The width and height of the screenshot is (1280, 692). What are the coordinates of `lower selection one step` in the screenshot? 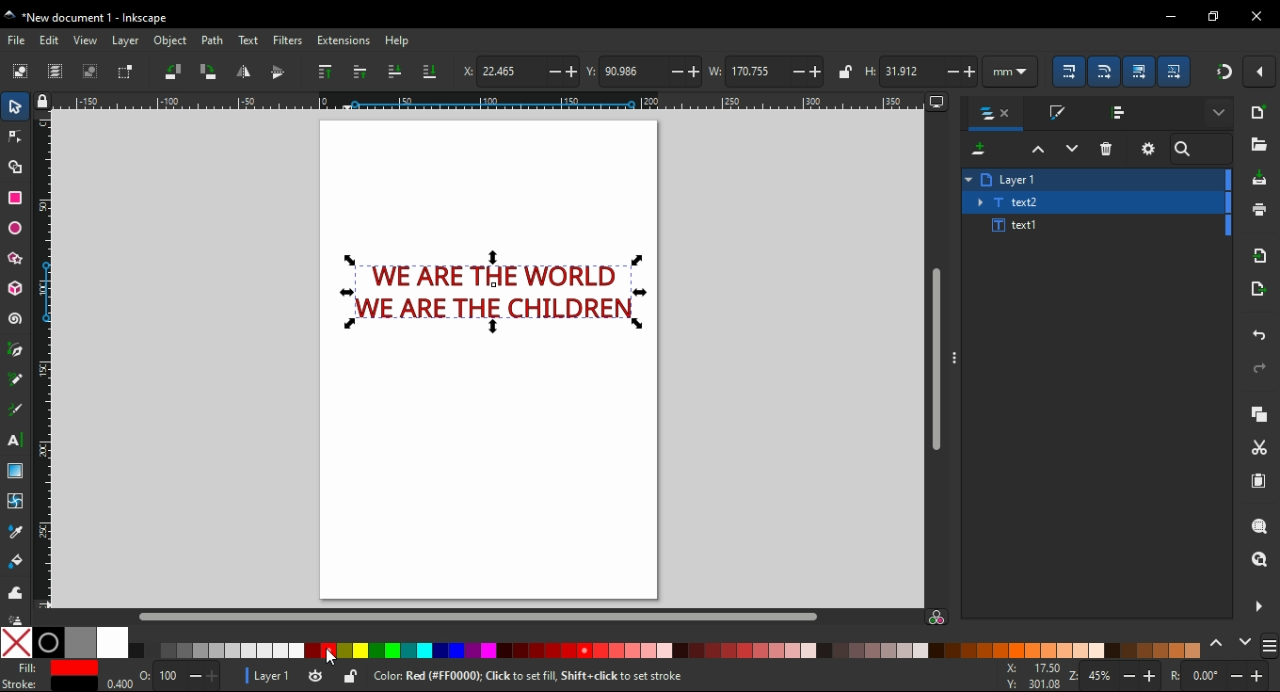 It's located at (1072, 149).